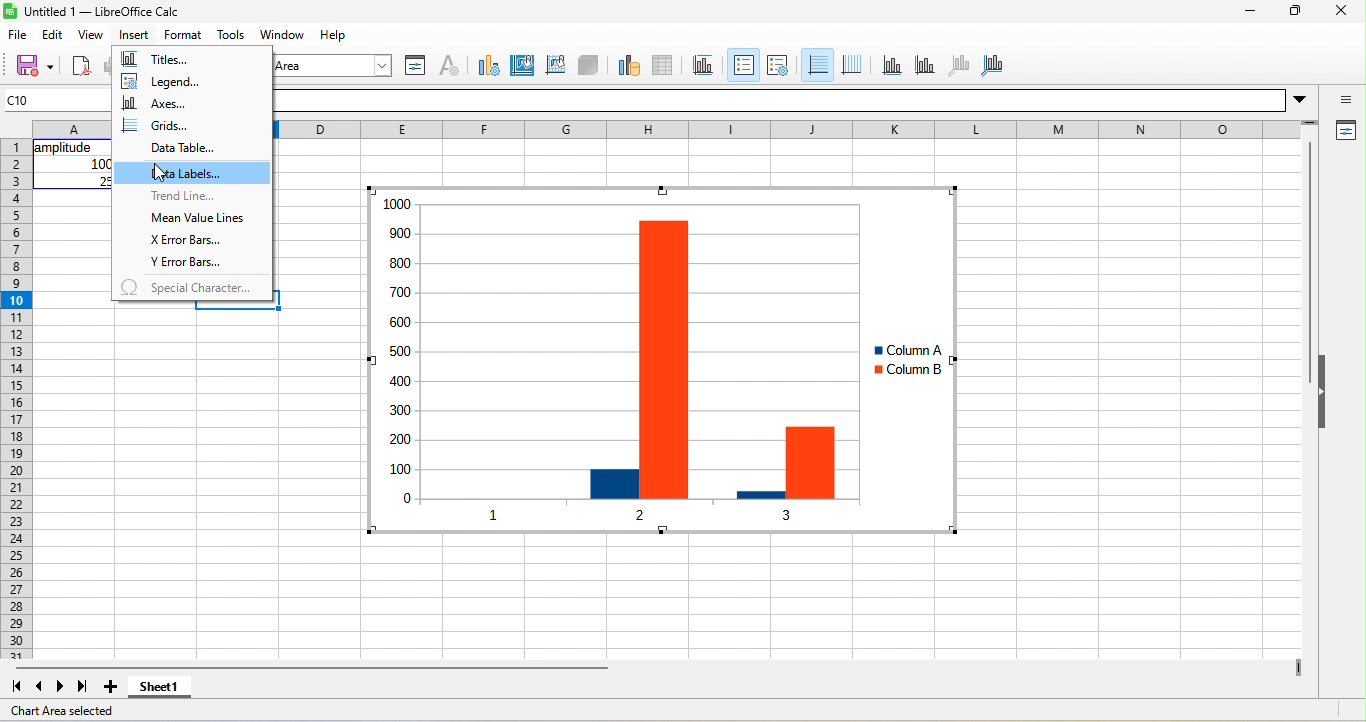 The height and width of the screenshot is (722, 1366). Describe the element at coordinates (485, 64) in the screenshot. I see `chart type` at that location.